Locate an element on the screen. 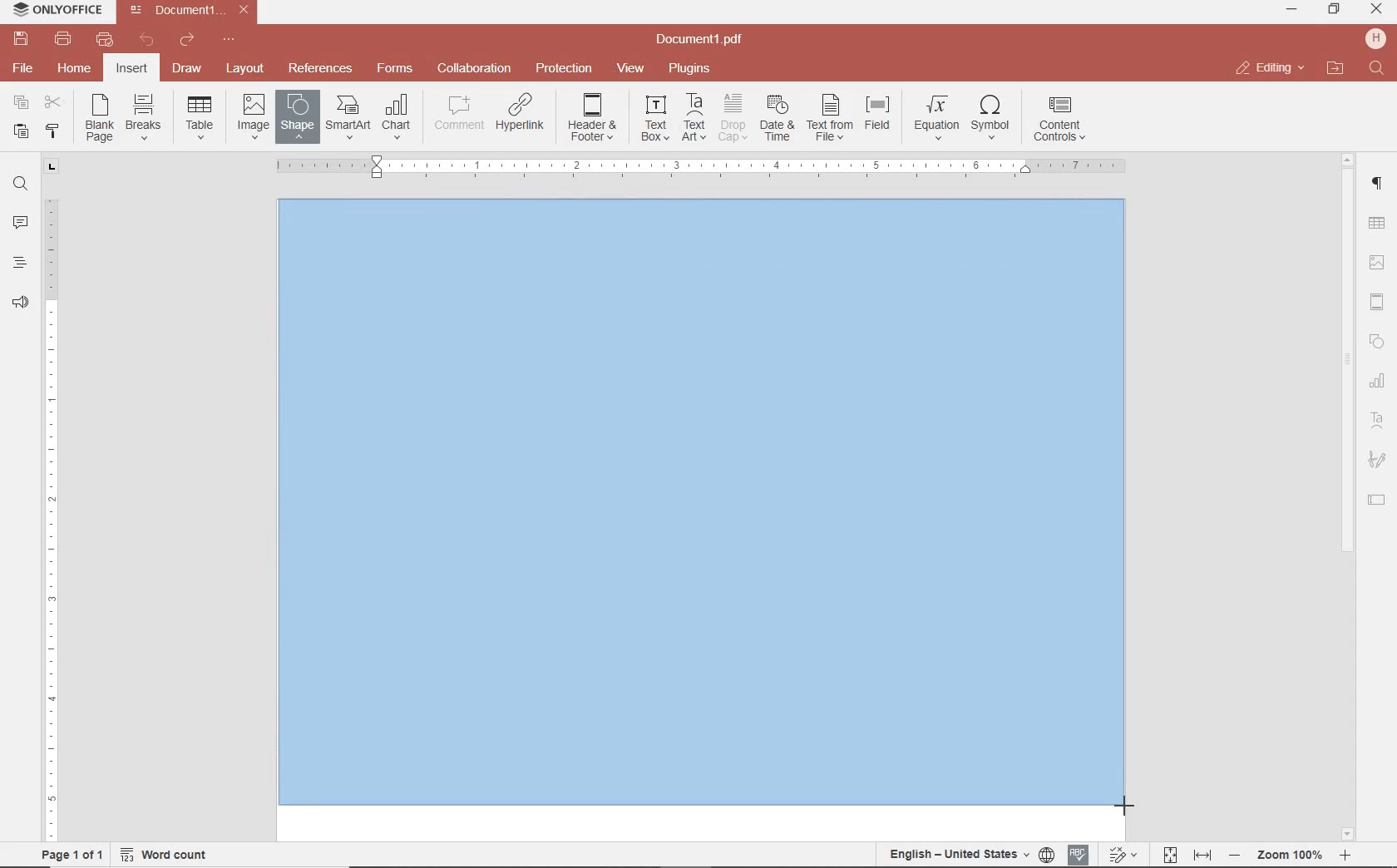 The image size is (1397, 868).  is located at coordinates (1128, 804).